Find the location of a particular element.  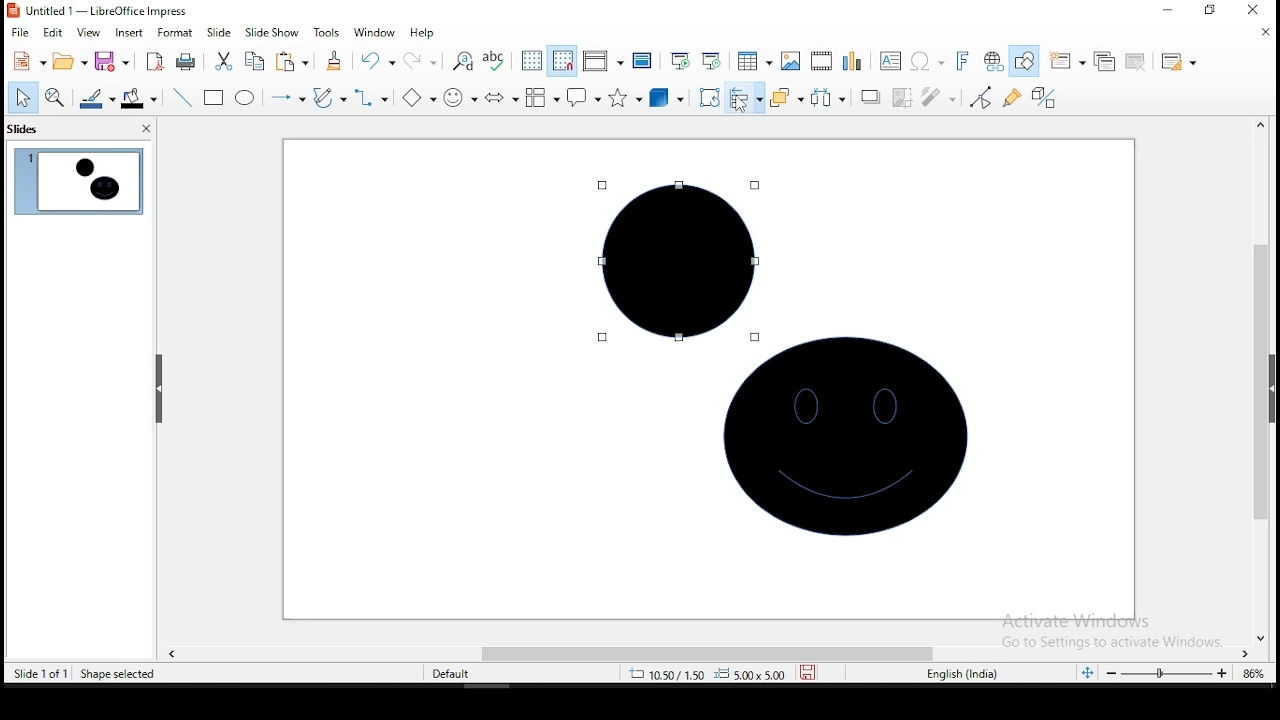

close window is located at coordinates (1260, 11).